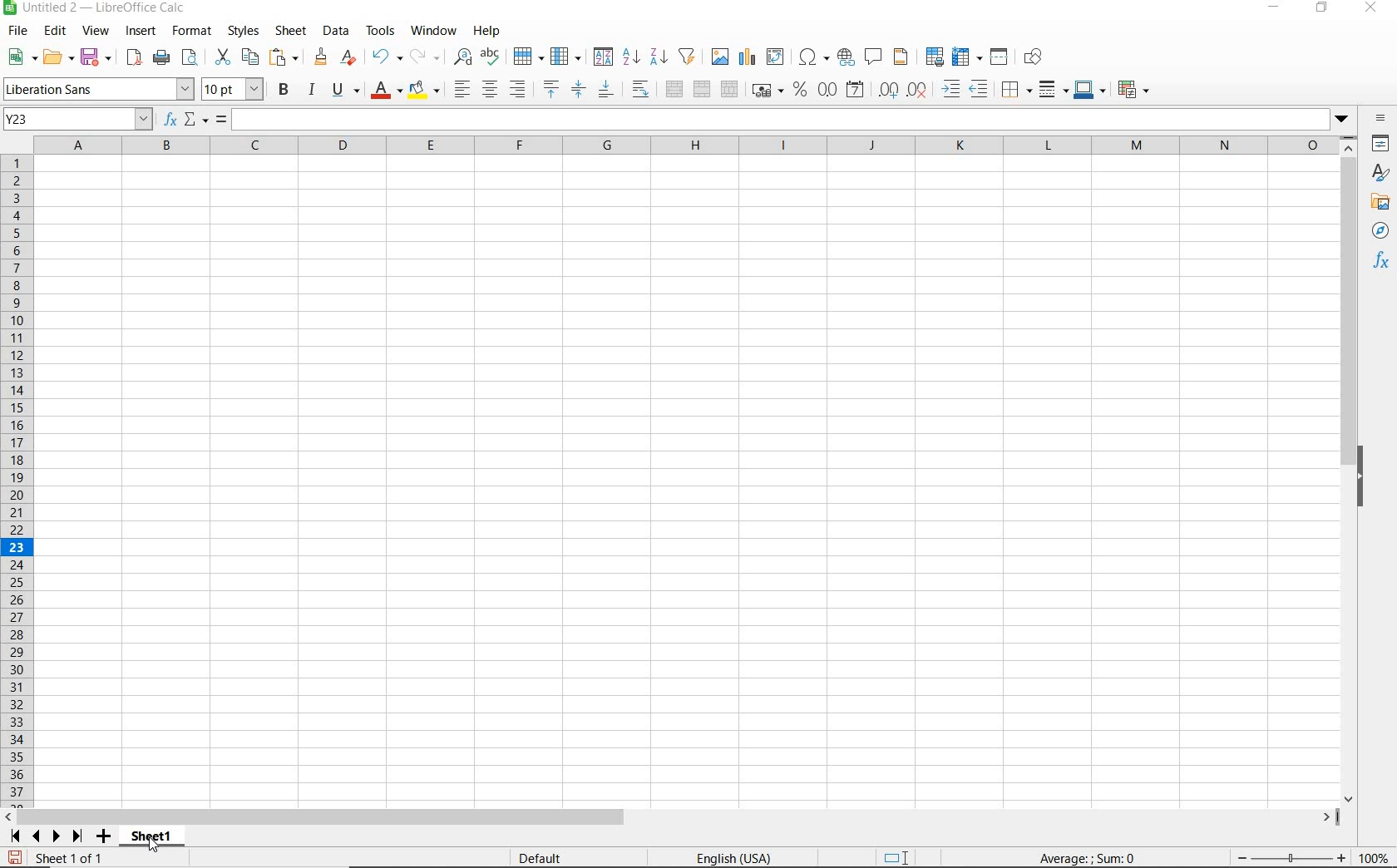 This screenshot has width=1397, height=868. I want to click on TEXT LANGUAGE, so click(735, 858).